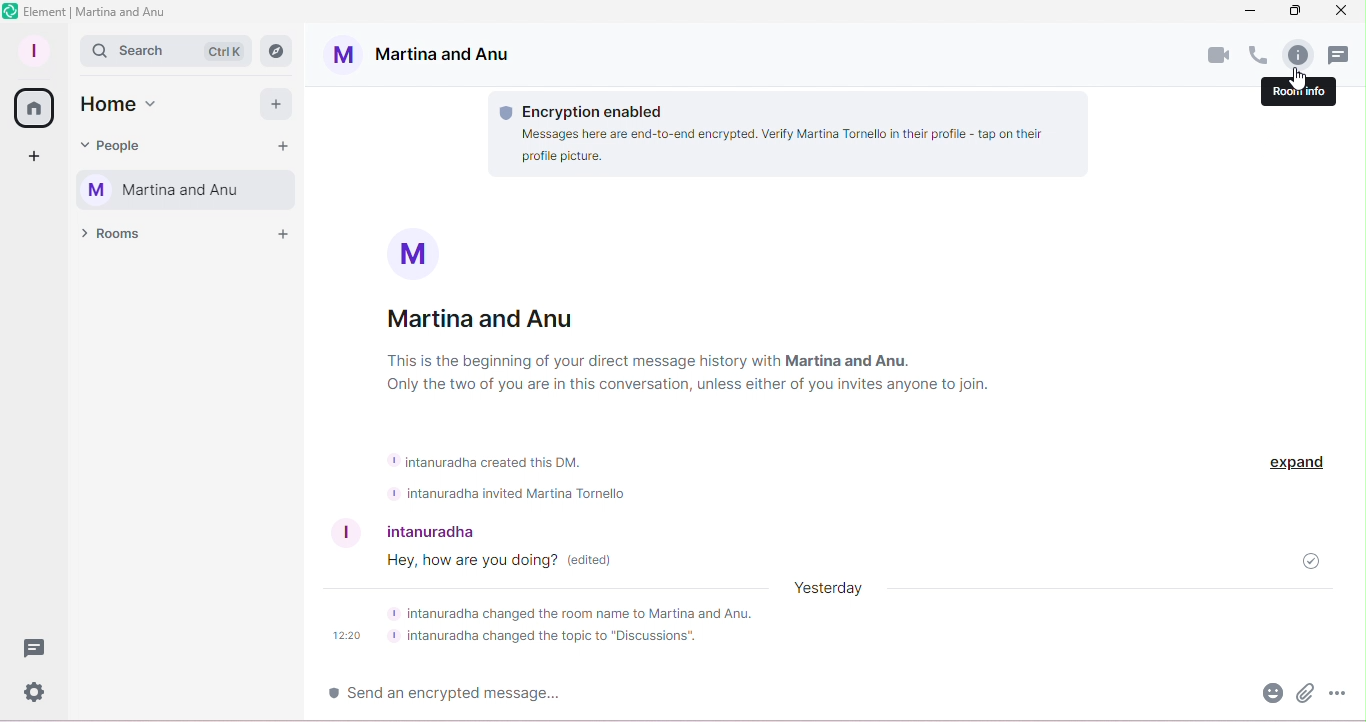 The image size is (1366, 722). Describe the element at coordinates (34, 695) in the screenshot. I see `Quick settings` at that location.